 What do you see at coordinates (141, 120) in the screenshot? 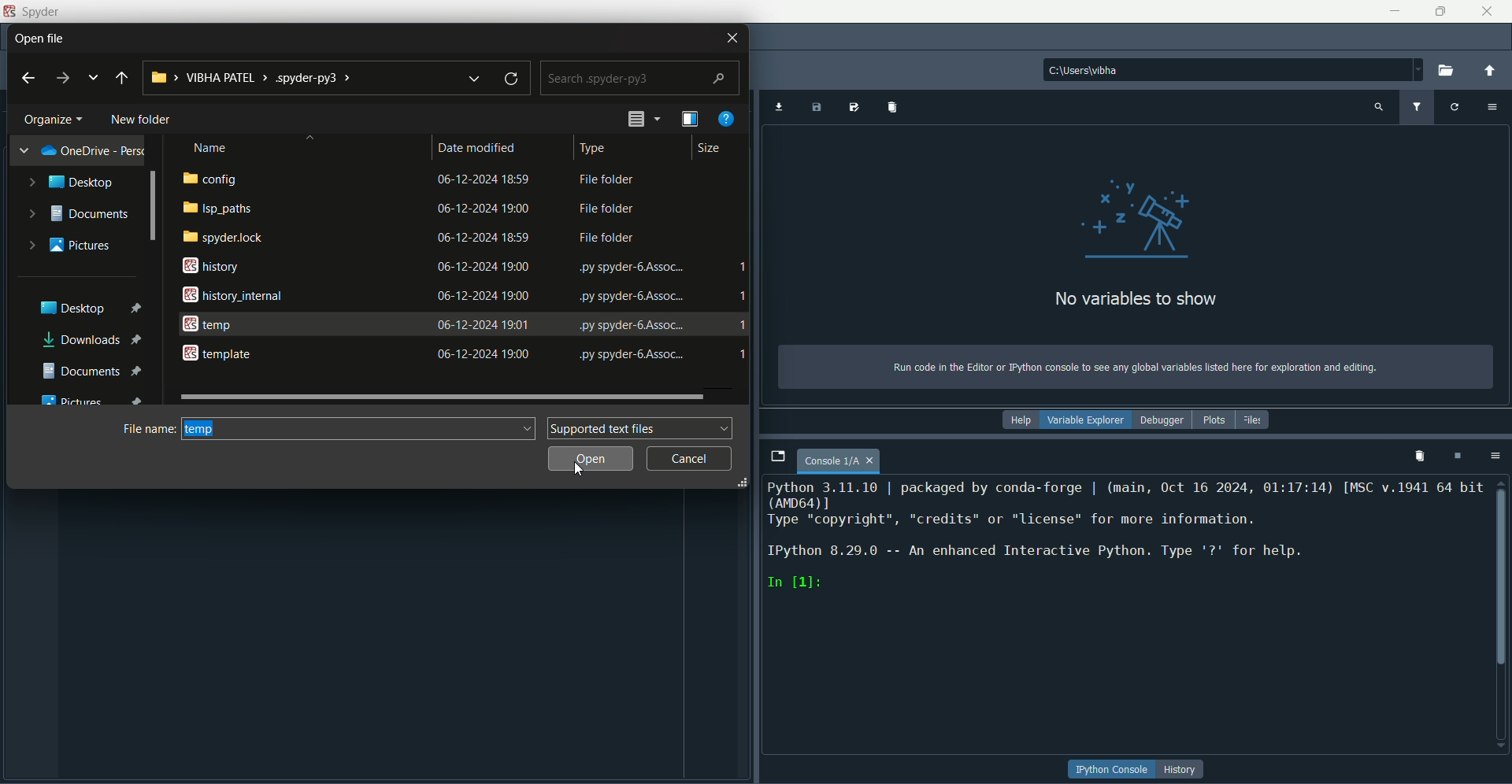
I see `new folder` at bounding box center [141, 120].